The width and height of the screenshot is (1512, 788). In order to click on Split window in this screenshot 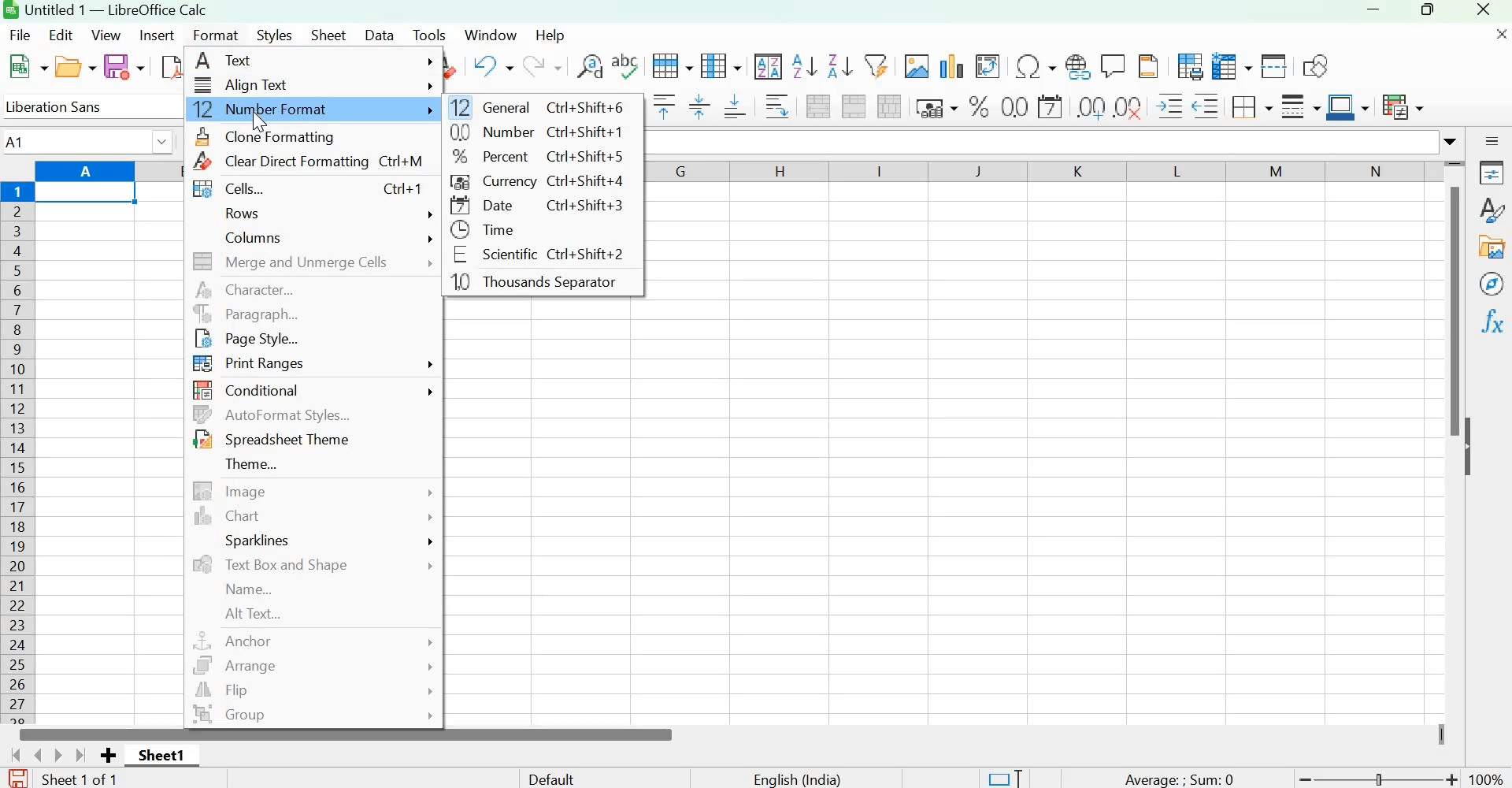, I will do `click(1273, 67)`.